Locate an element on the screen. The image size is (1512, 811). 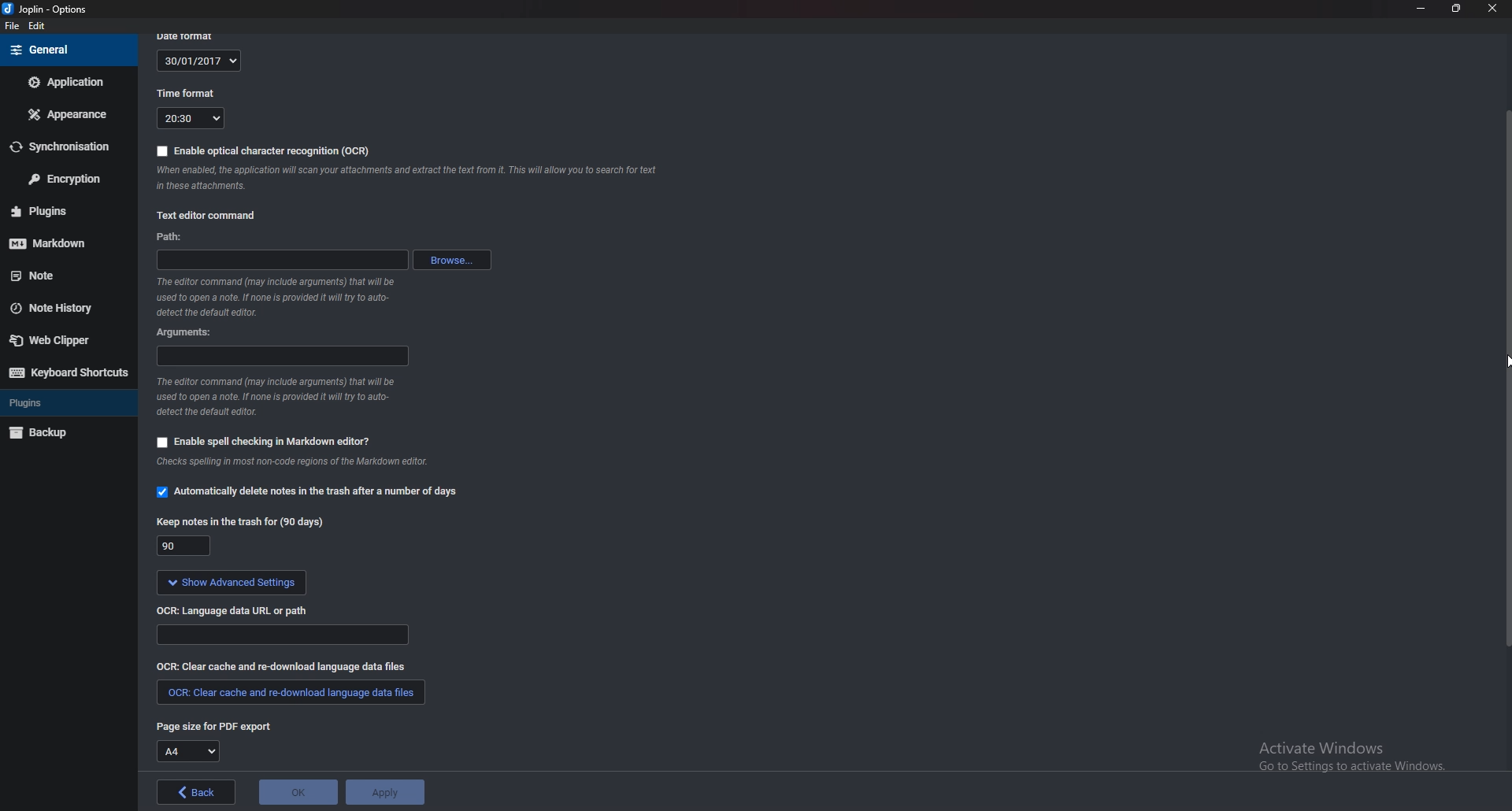
date format is located at coordinates (191, 35).